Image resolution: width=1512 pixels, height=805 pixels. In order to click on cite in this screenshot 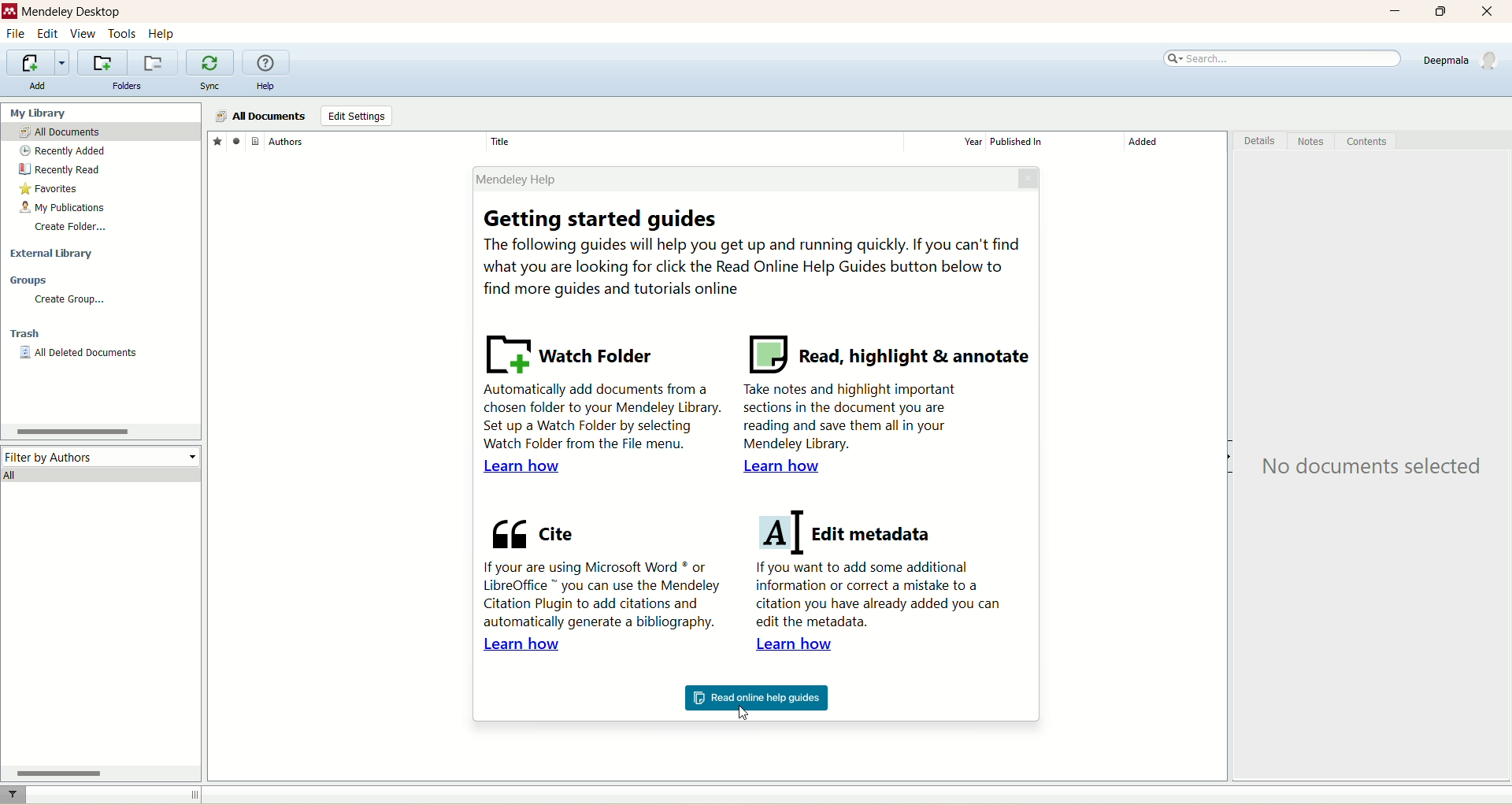, I will do `click(532, 530)`.